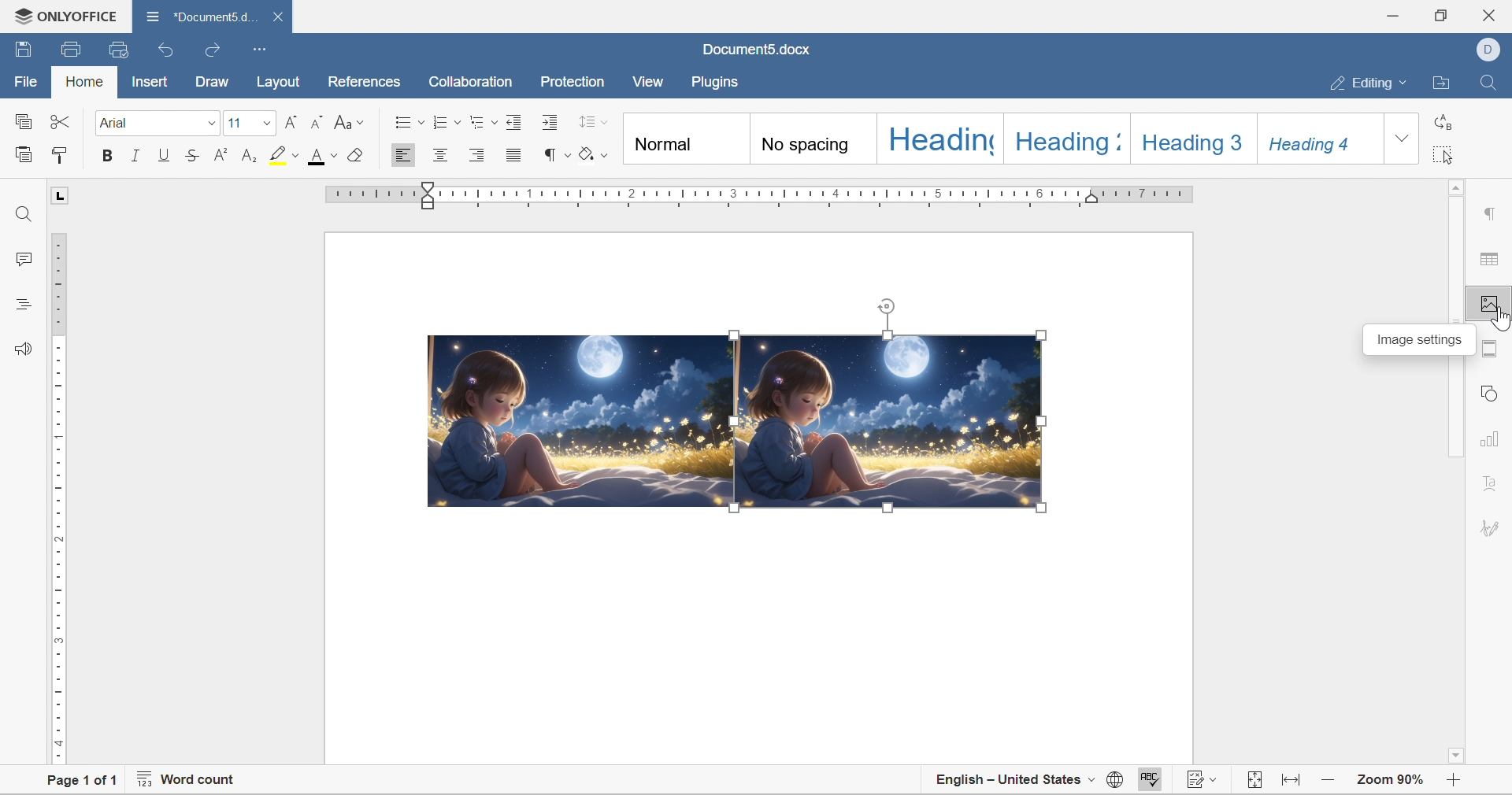 The width and height of the screenshot is (1512, 795). What do you see at coordinates (473, 83) in the screenshot?
I see `collaboration` at bounding box center [473, 83].